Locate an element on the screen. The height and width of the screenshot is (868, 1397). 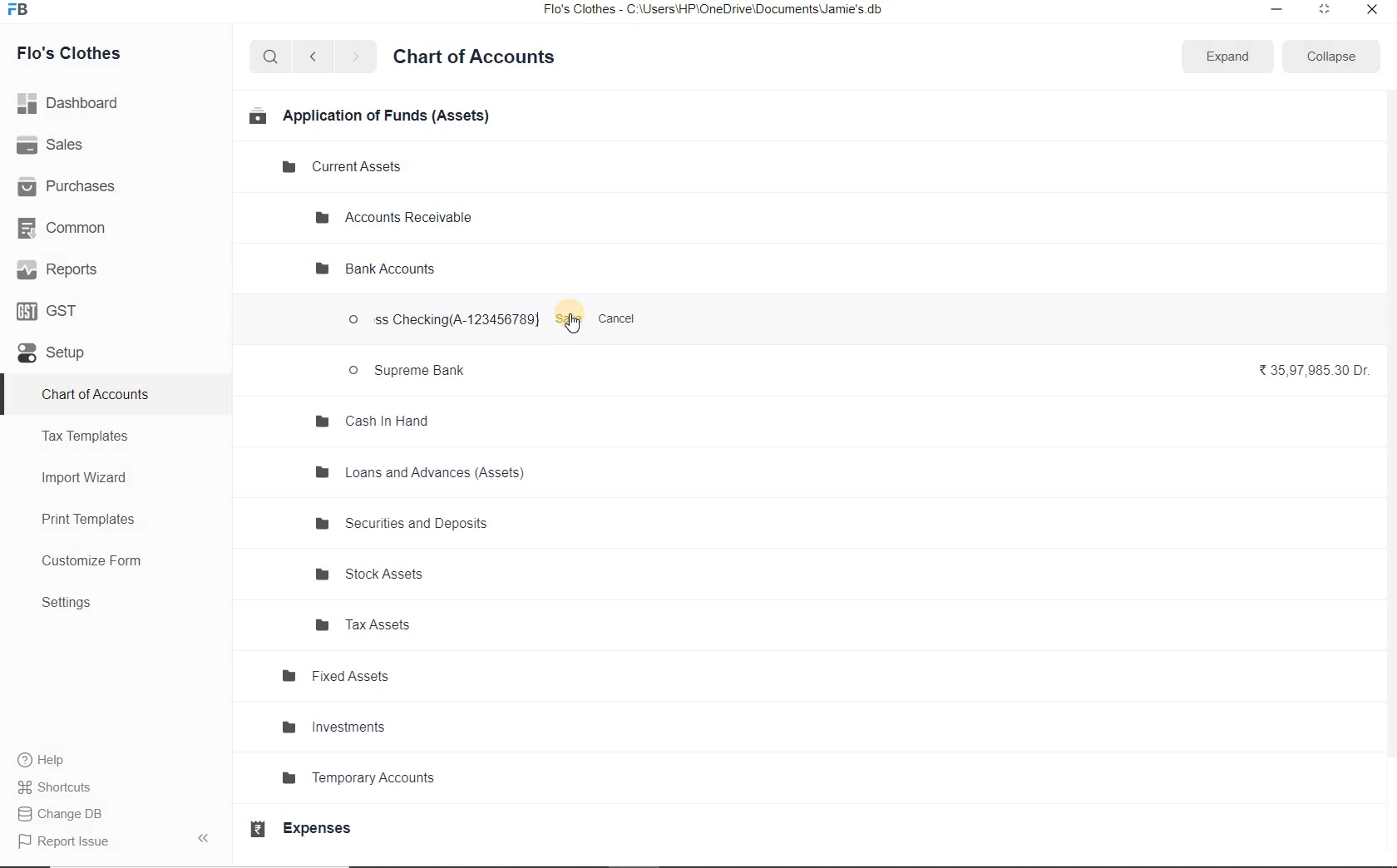
Expenses is located at coordinates (320, 828).